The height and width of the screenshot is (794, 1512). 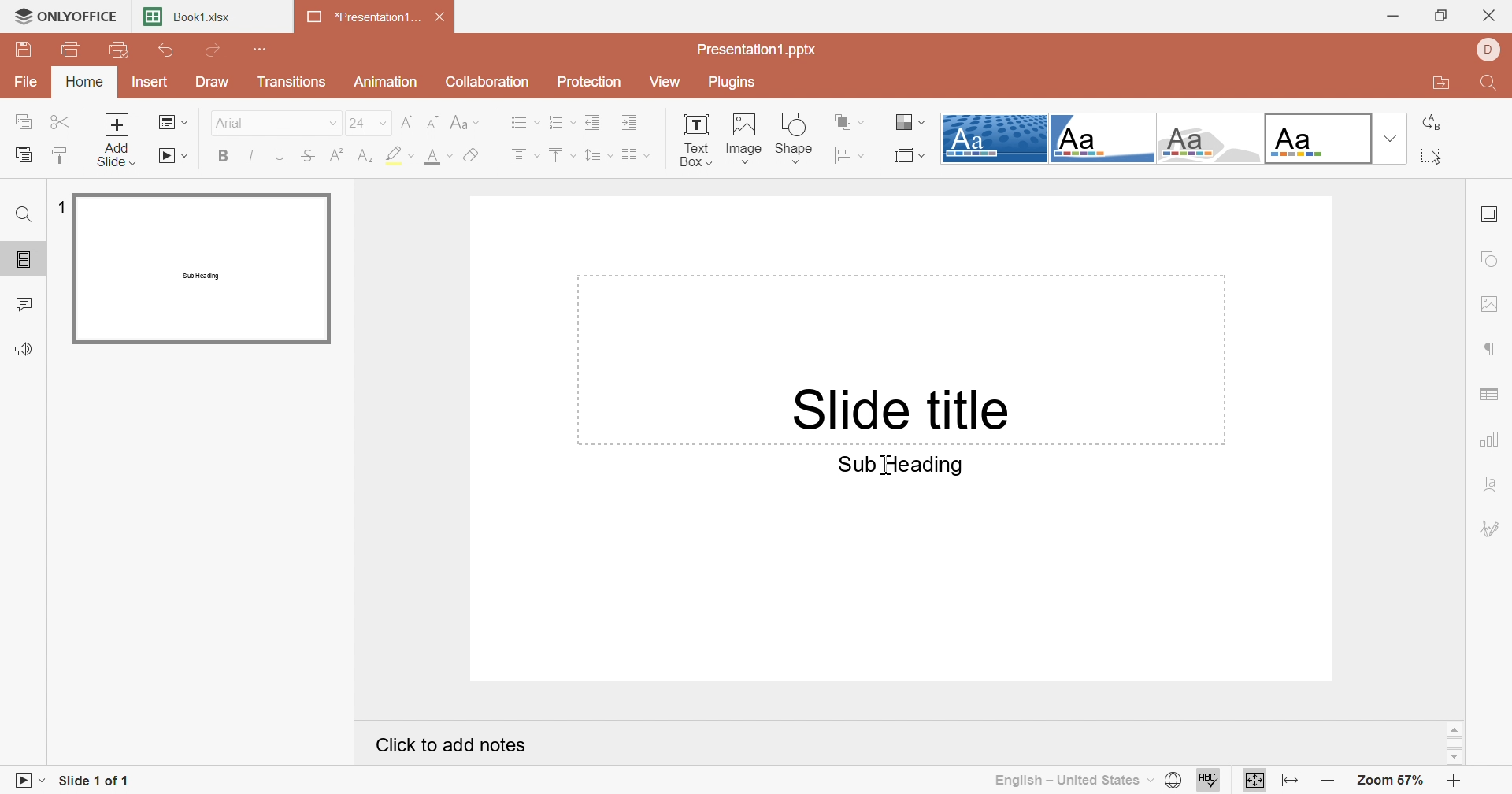 I want to click on Start slideshow, so click(x=174, y=156).